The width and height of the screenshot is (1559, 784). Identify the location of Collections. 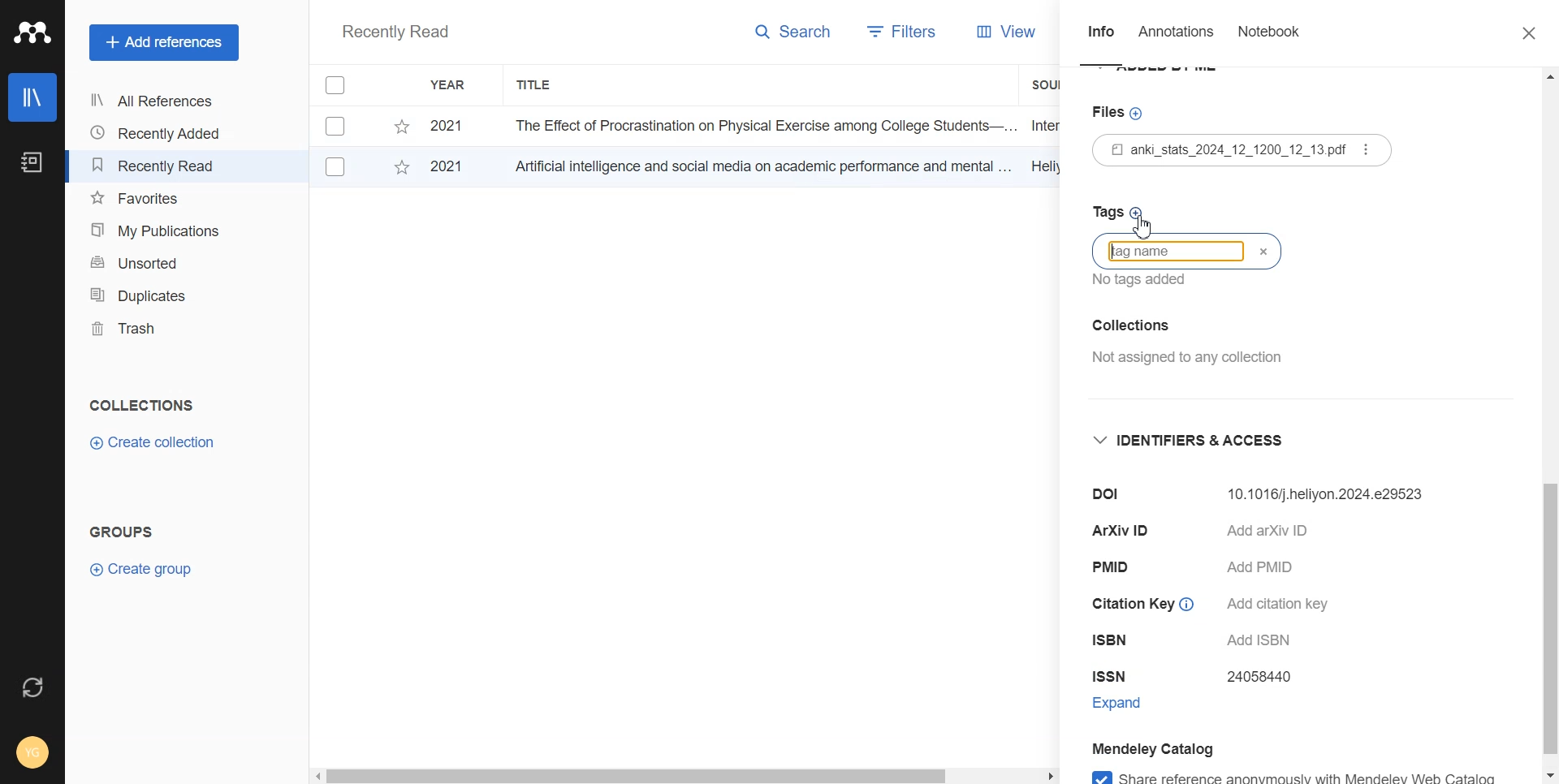
(141, 405).